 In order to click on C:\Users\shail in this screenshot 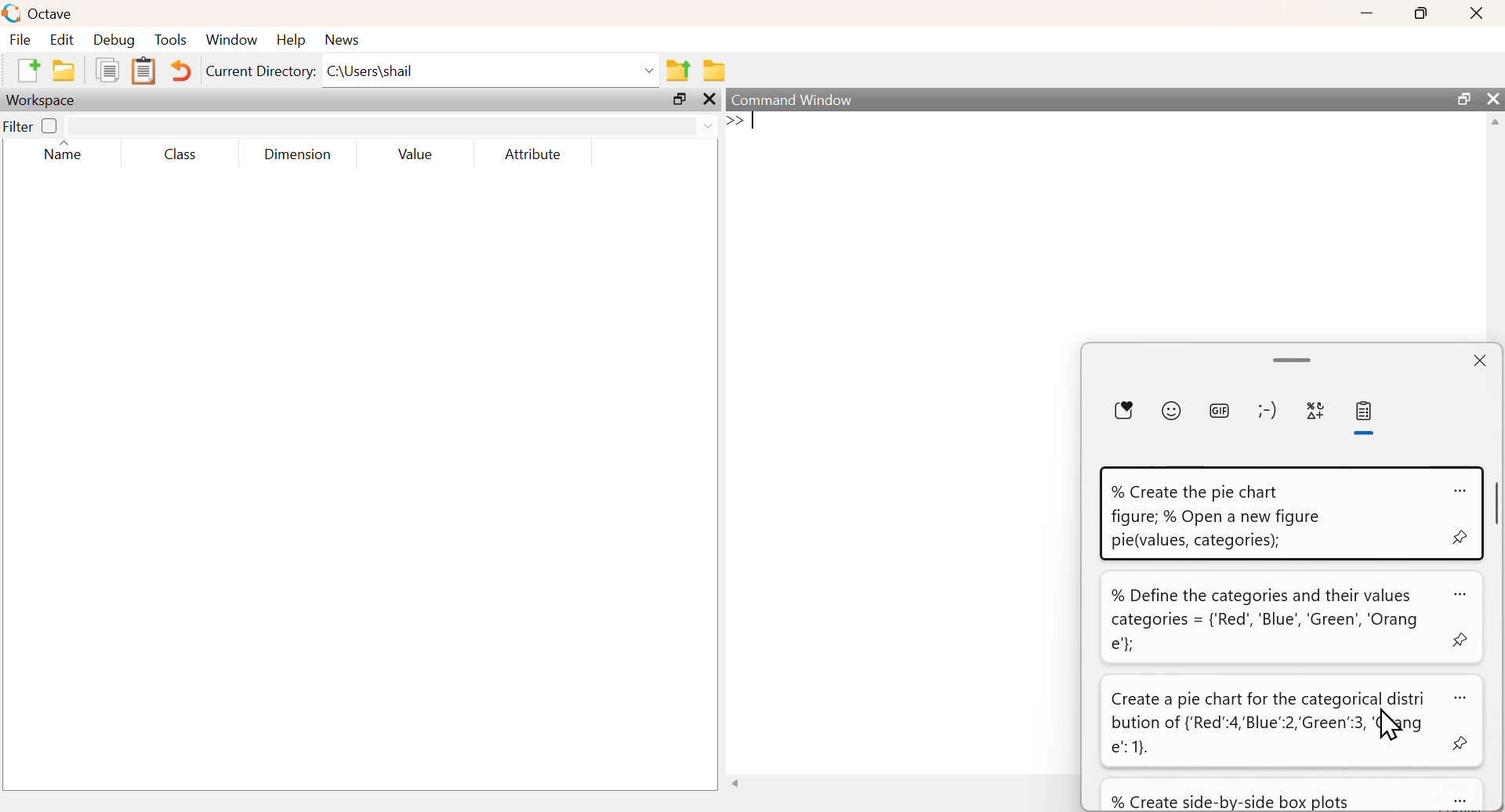, I will do `click(371, 71)`.